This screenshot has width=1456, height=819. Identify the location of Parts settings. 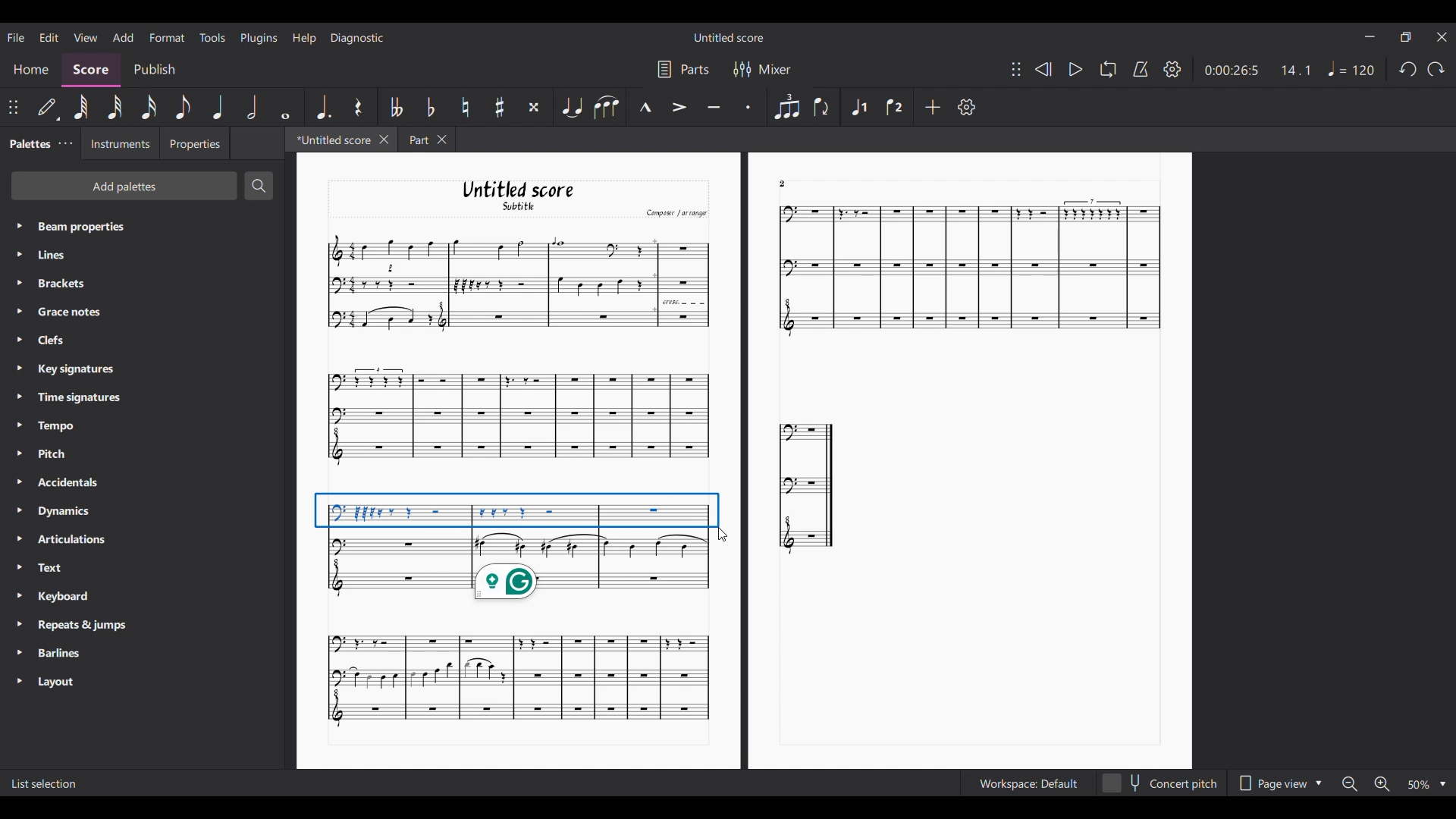
(684, 69).